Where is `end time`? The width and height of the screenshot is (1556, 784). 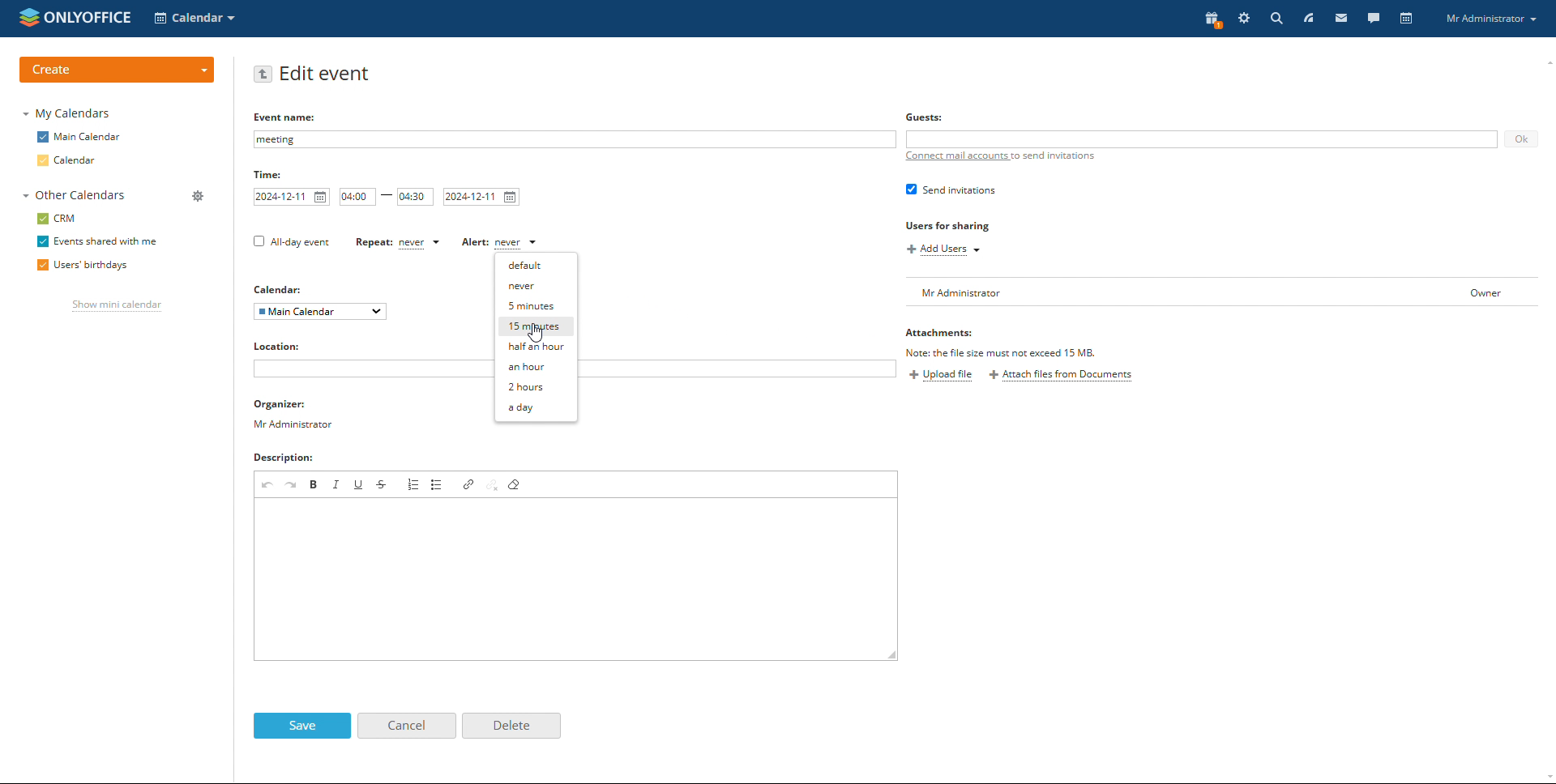
end time is located at coordinates (416, 197).